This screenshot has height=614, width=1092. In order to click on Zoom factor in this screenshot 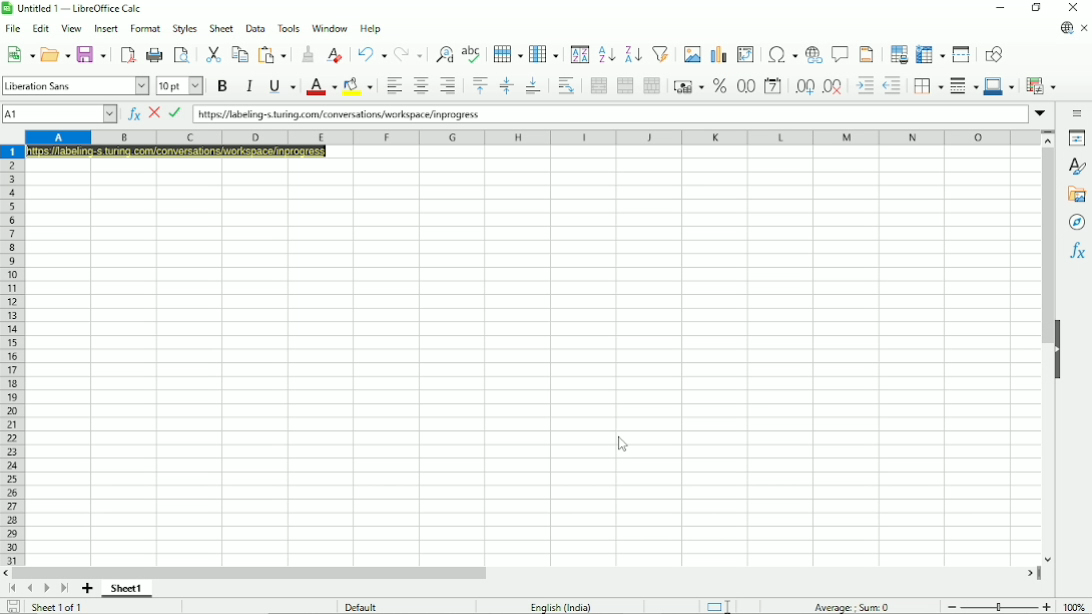, I will do `click(1074, 606)`.